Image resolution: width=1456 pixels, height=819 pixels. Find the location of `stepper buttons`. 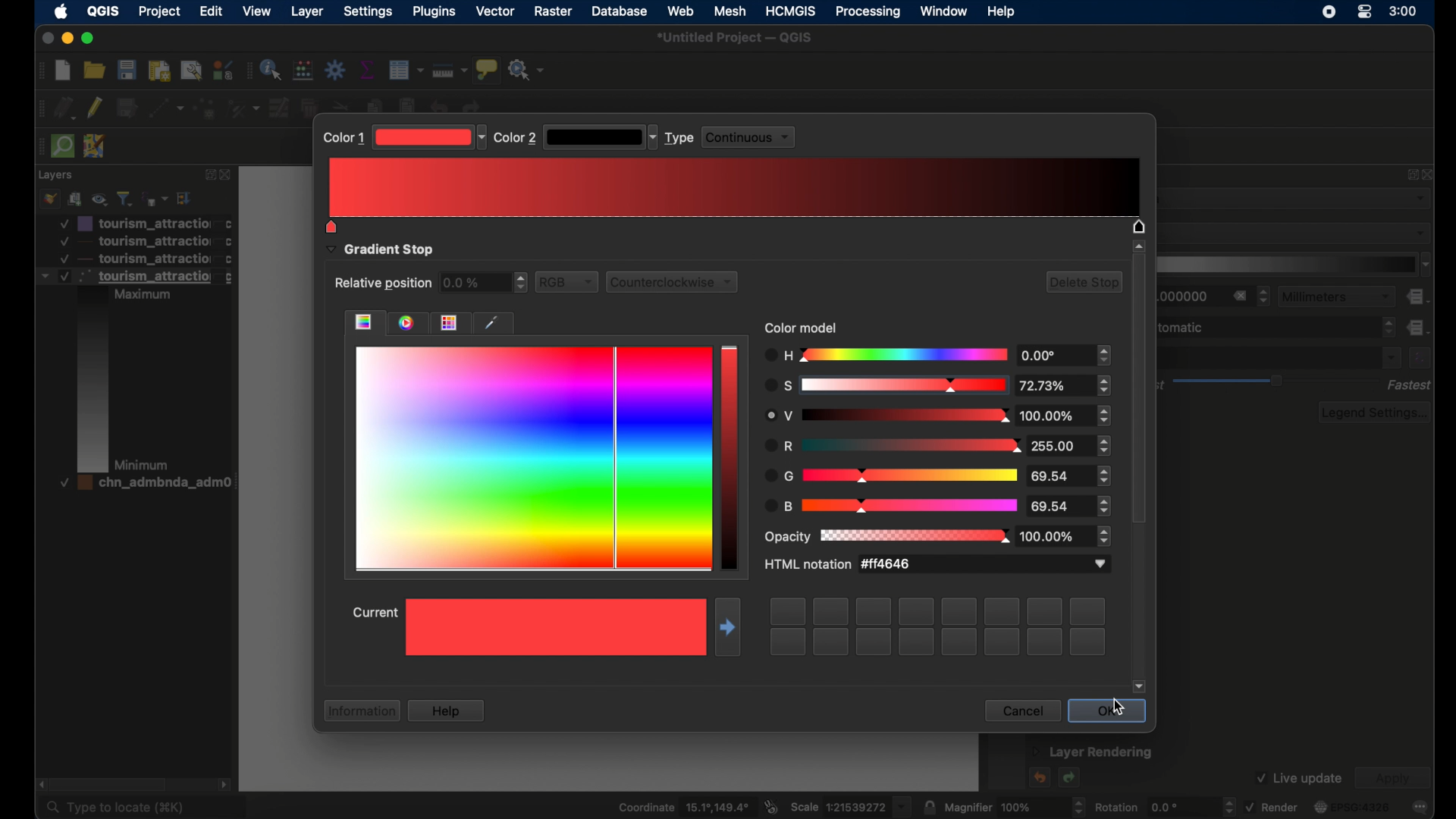

stepper buttons is located at coordinates (1071, 445).